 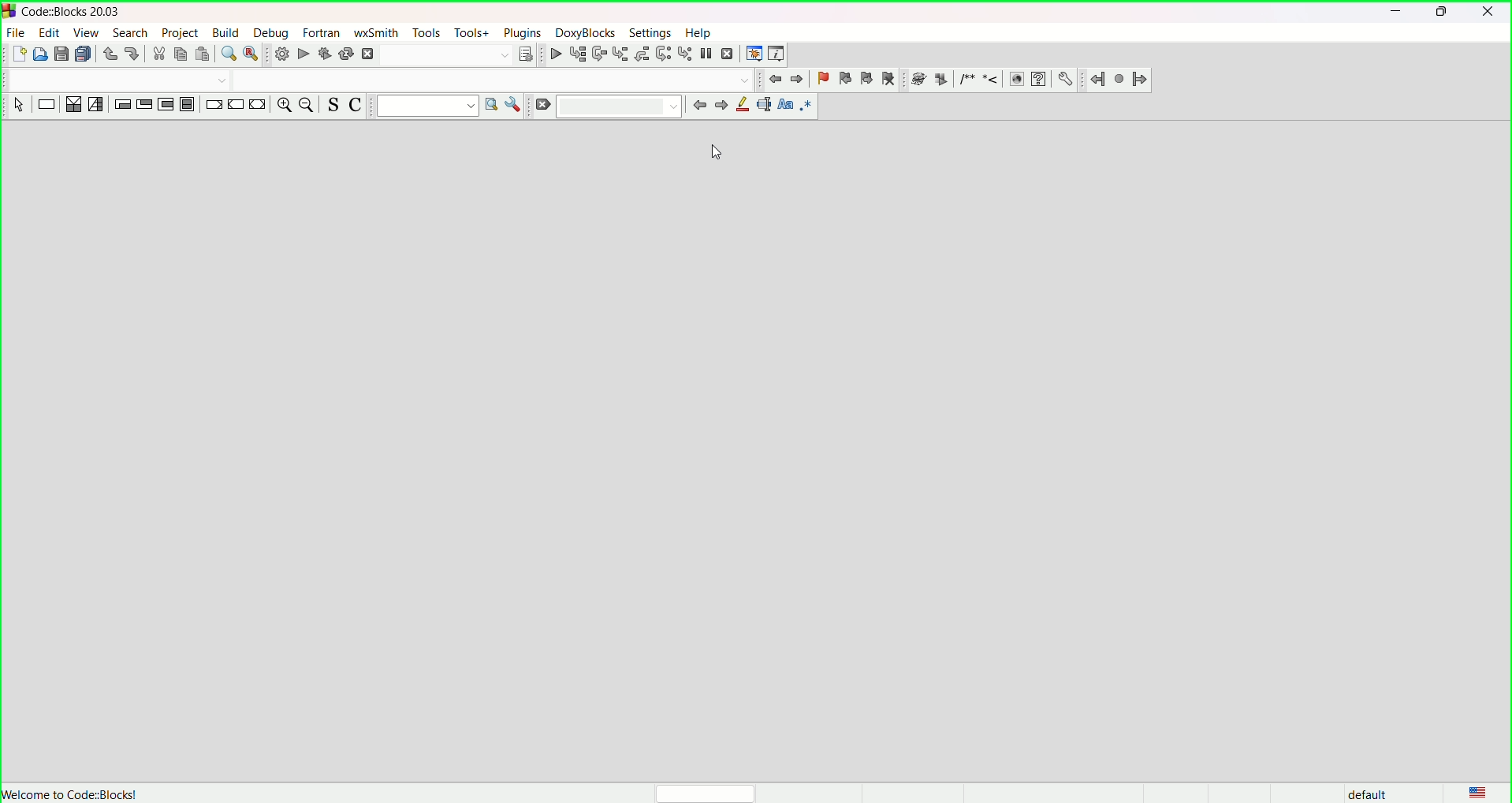 I want to click on decision, so click(x=72, y=105).